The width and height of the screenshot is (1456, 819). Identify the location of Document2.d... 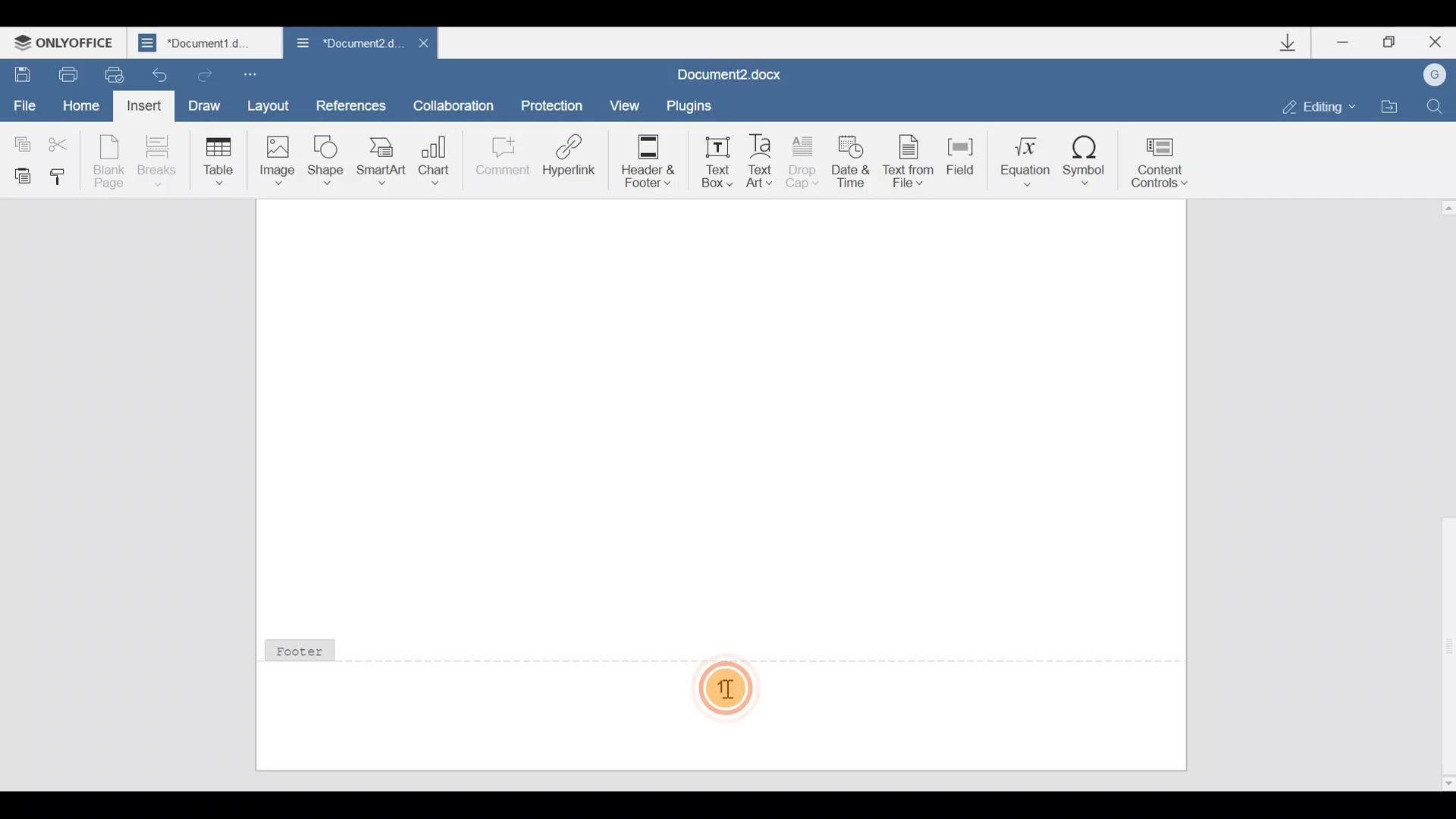
(342, 44).